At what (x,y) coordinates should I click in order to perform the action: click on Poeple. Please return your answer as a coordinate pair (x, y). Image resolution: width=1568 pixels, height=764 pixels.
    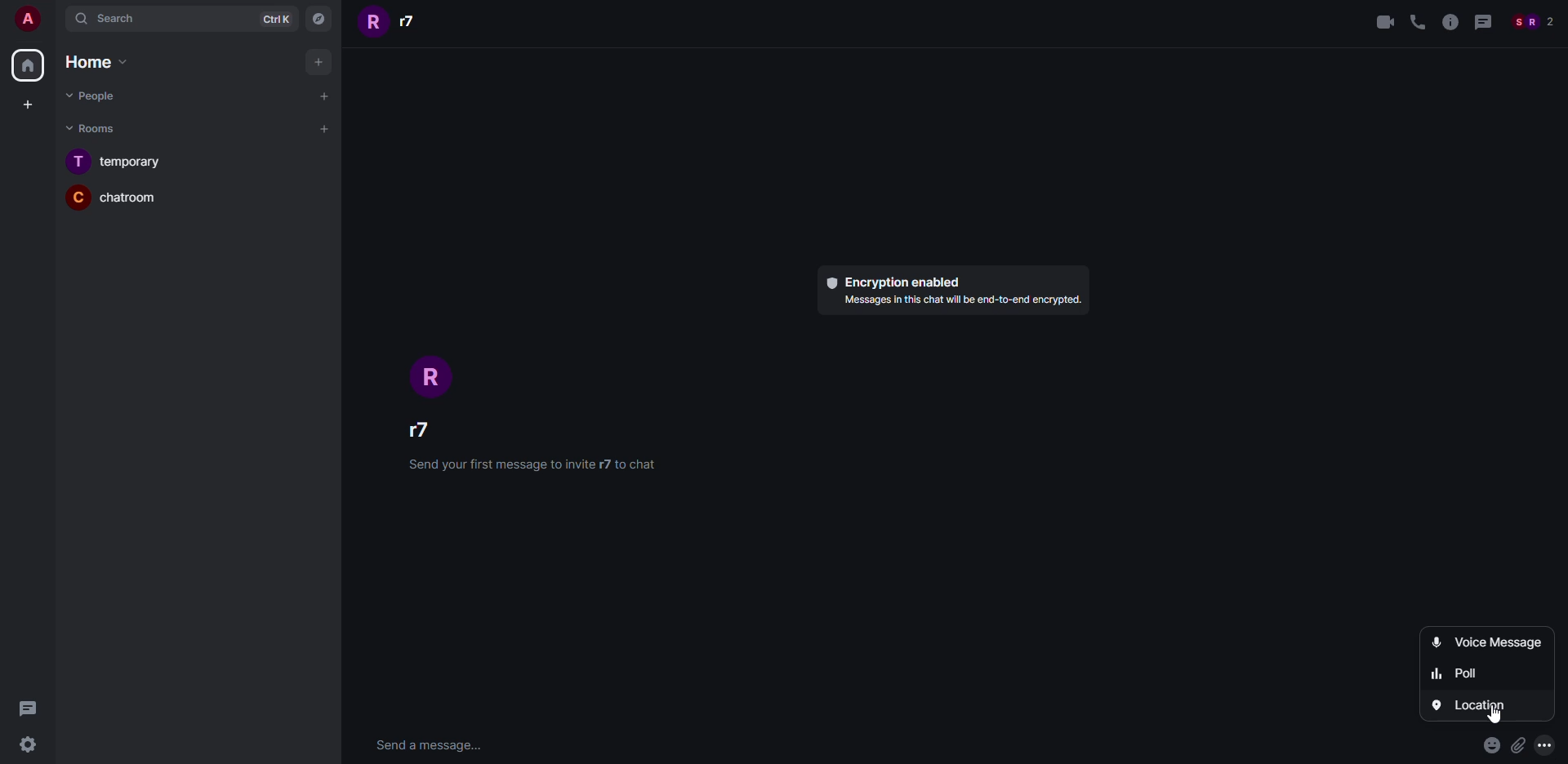
    Looking at the image, I should click on (90, 95).